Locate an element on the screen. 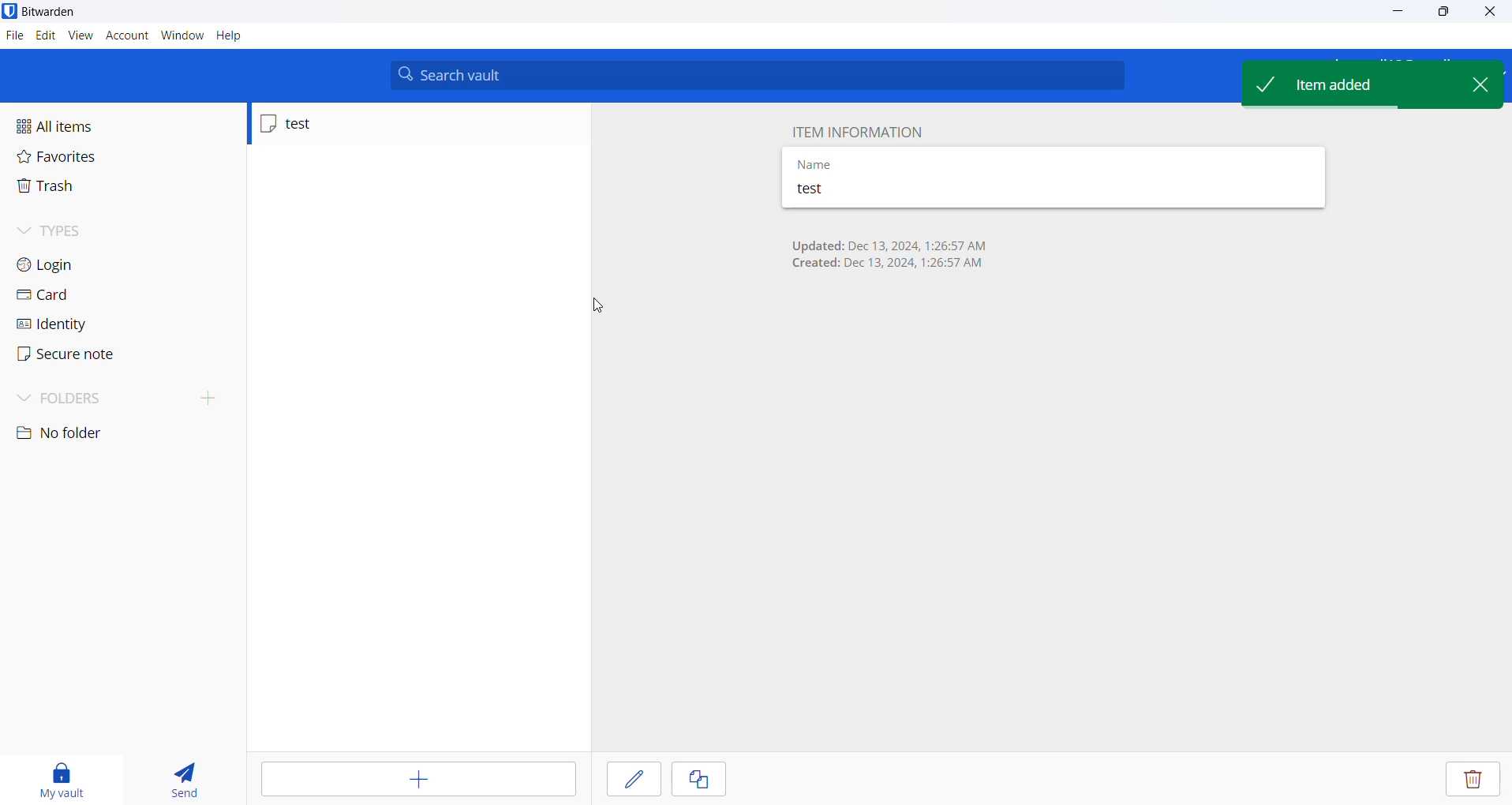 This screenshot has height=805, width=1512. types is located at coordinates (75, 230).